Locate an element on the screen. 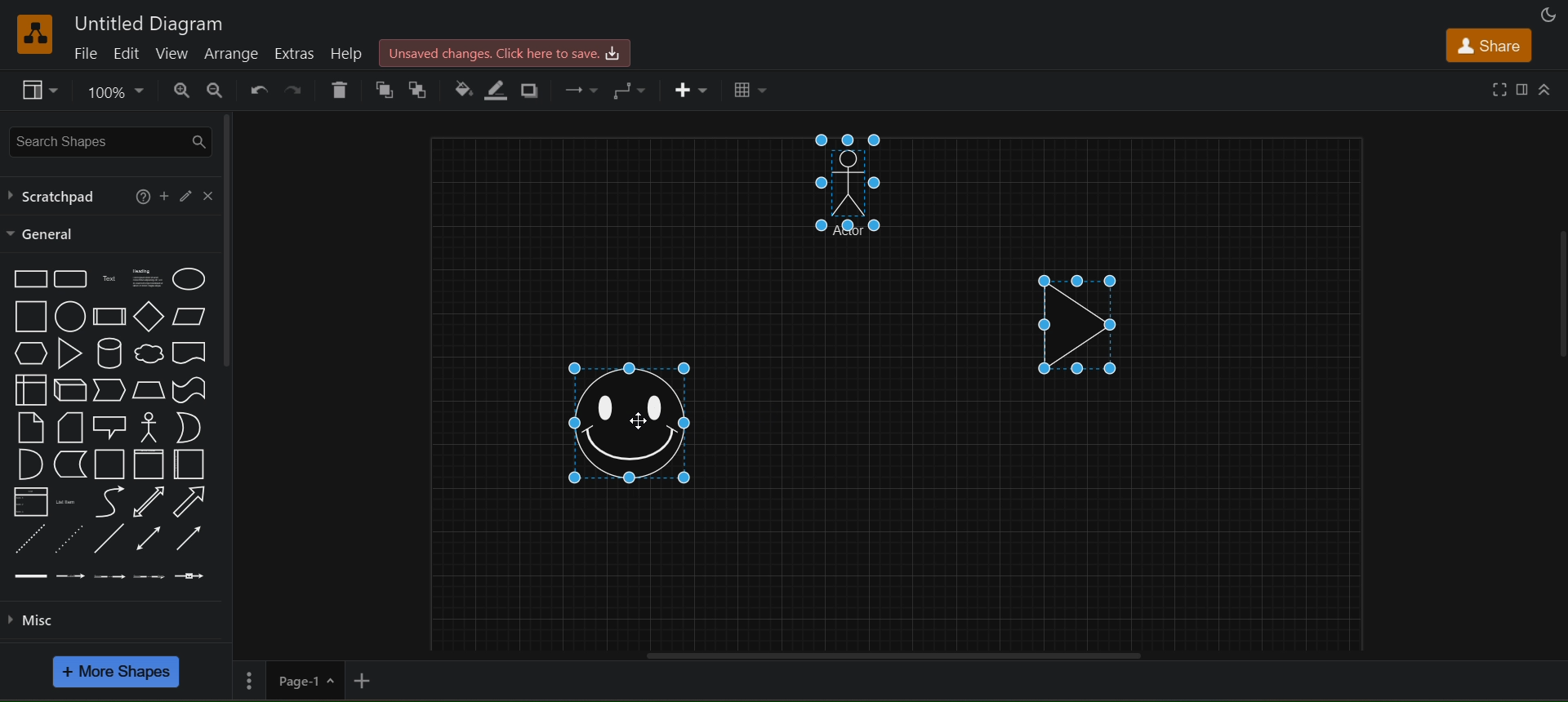 The image size is (1568, 702). vertical scroll bar is located at coordinates (231, 238).